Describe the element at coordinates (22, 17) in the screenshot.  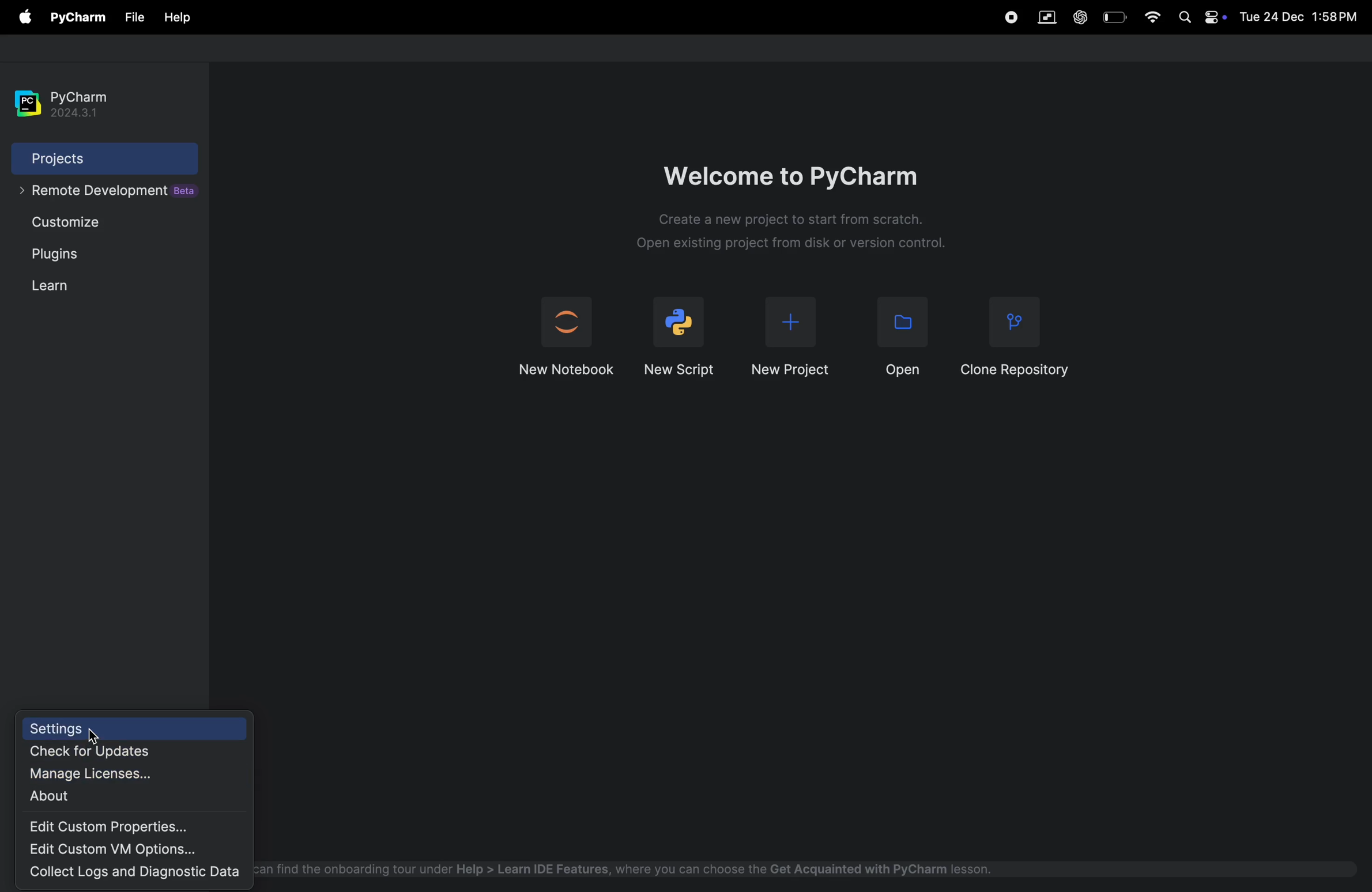
I see `file menu` at that location.